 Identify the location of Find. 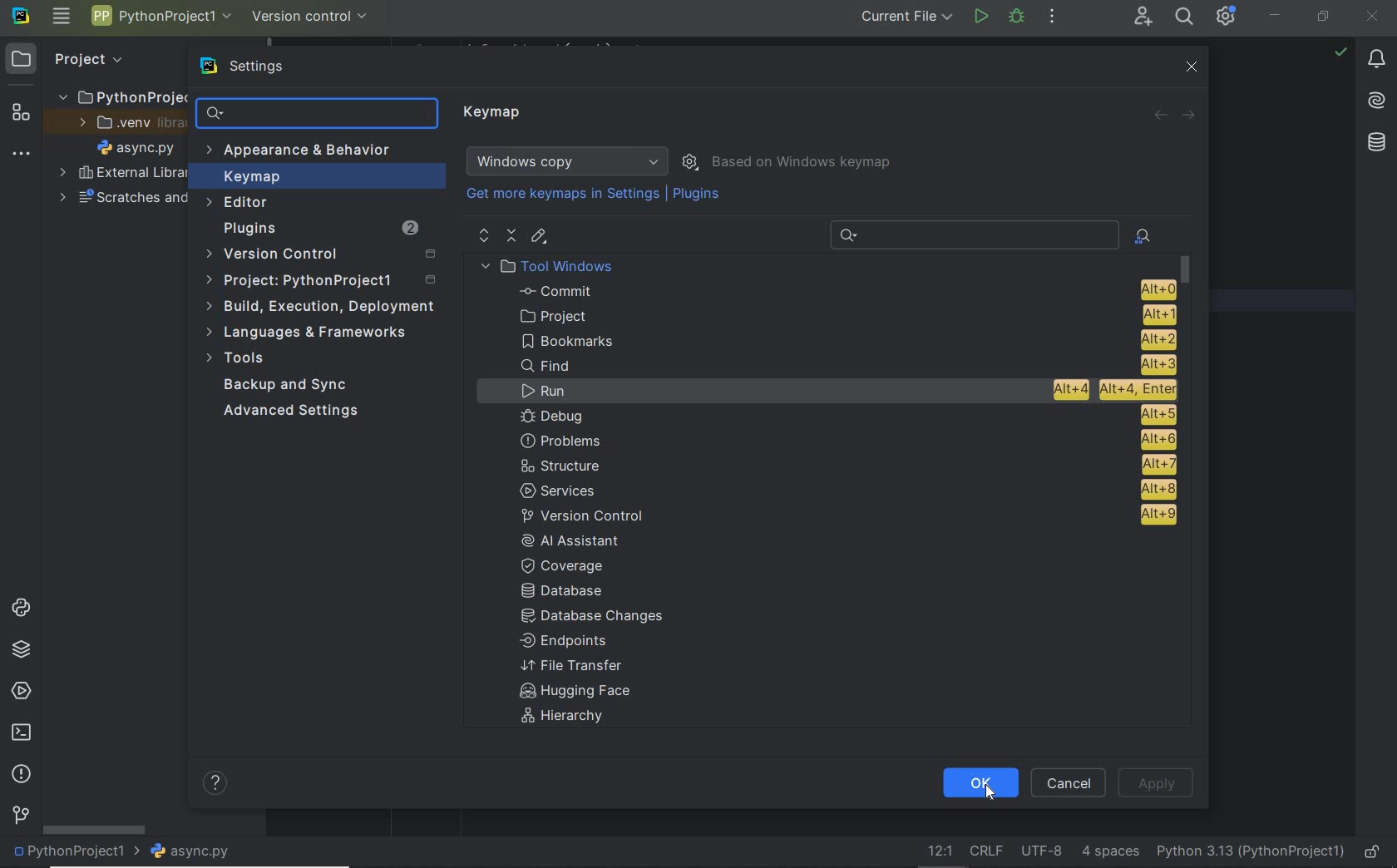
(847, 366).